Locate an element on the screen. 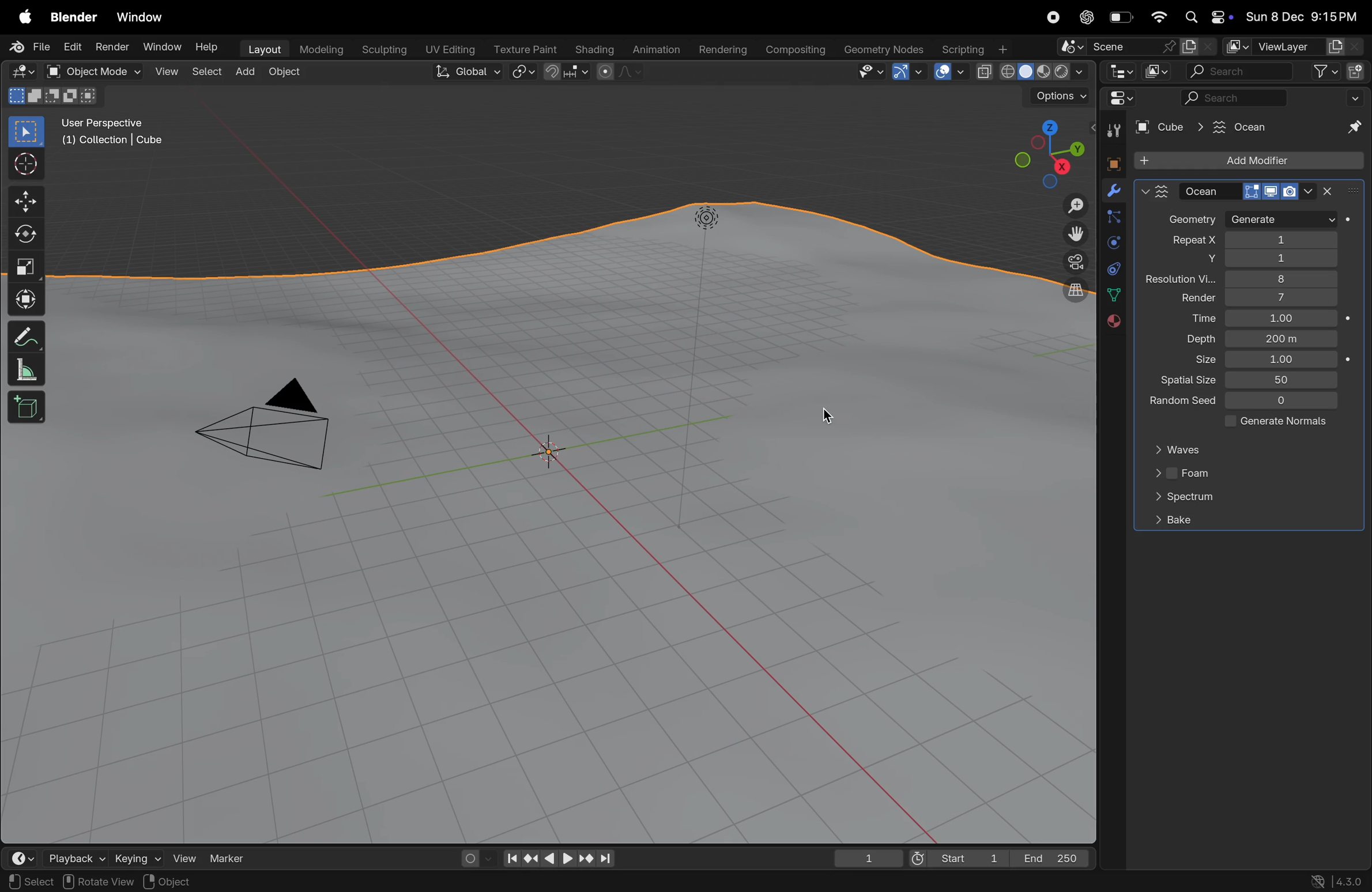 This screenshot has width=1372, height=892. view layer is located at coordinates (1291, 47).